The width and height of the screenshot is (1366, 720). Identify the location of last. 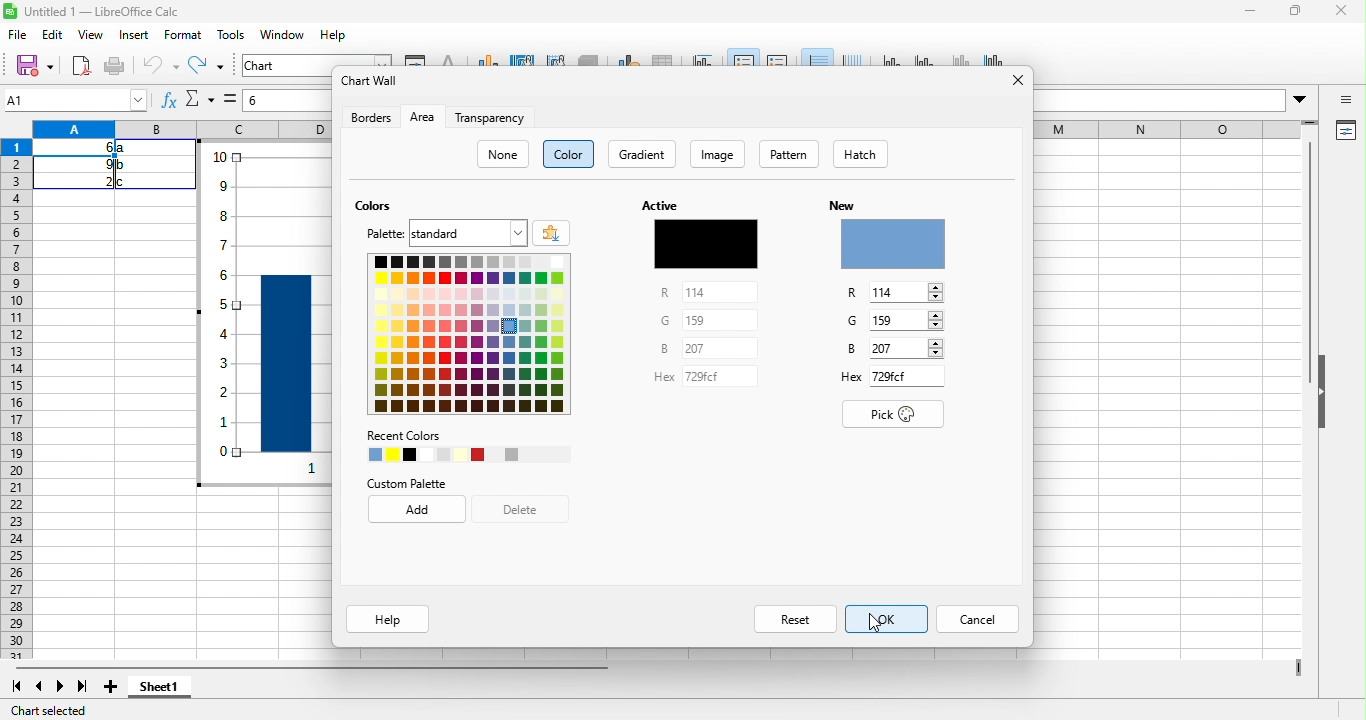
(85, 688).